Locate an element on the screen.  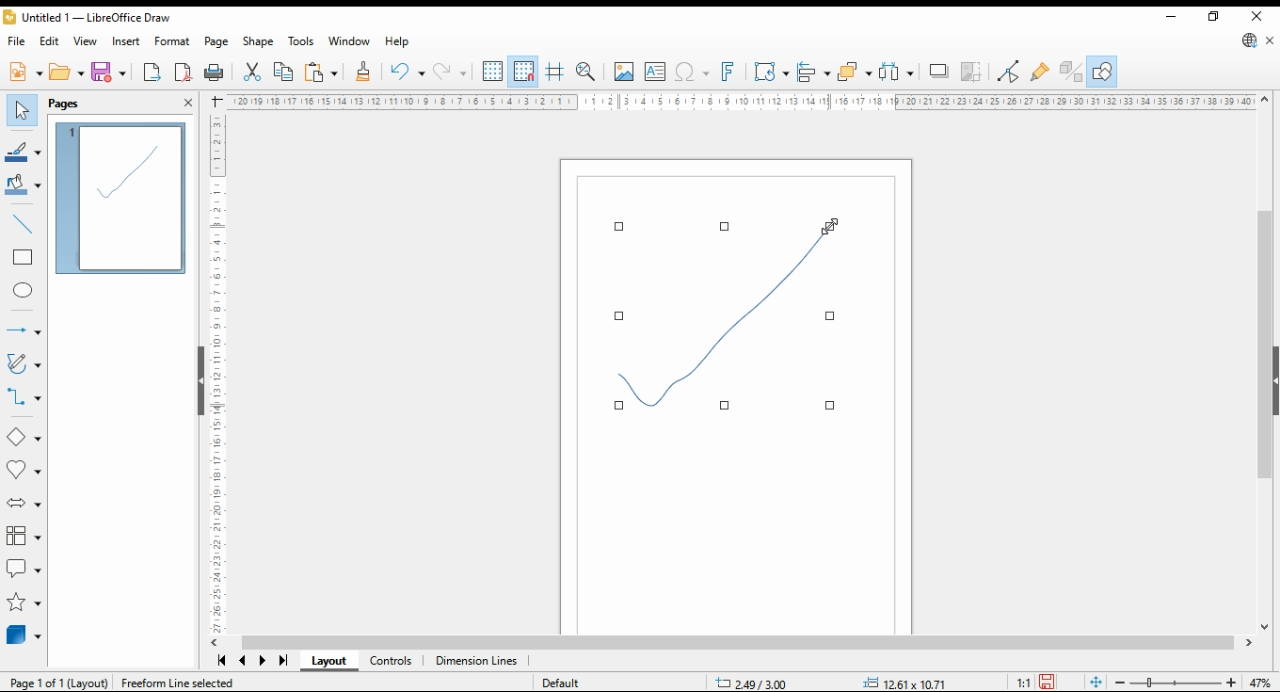
ellipse is located at coordinates (22, 292).